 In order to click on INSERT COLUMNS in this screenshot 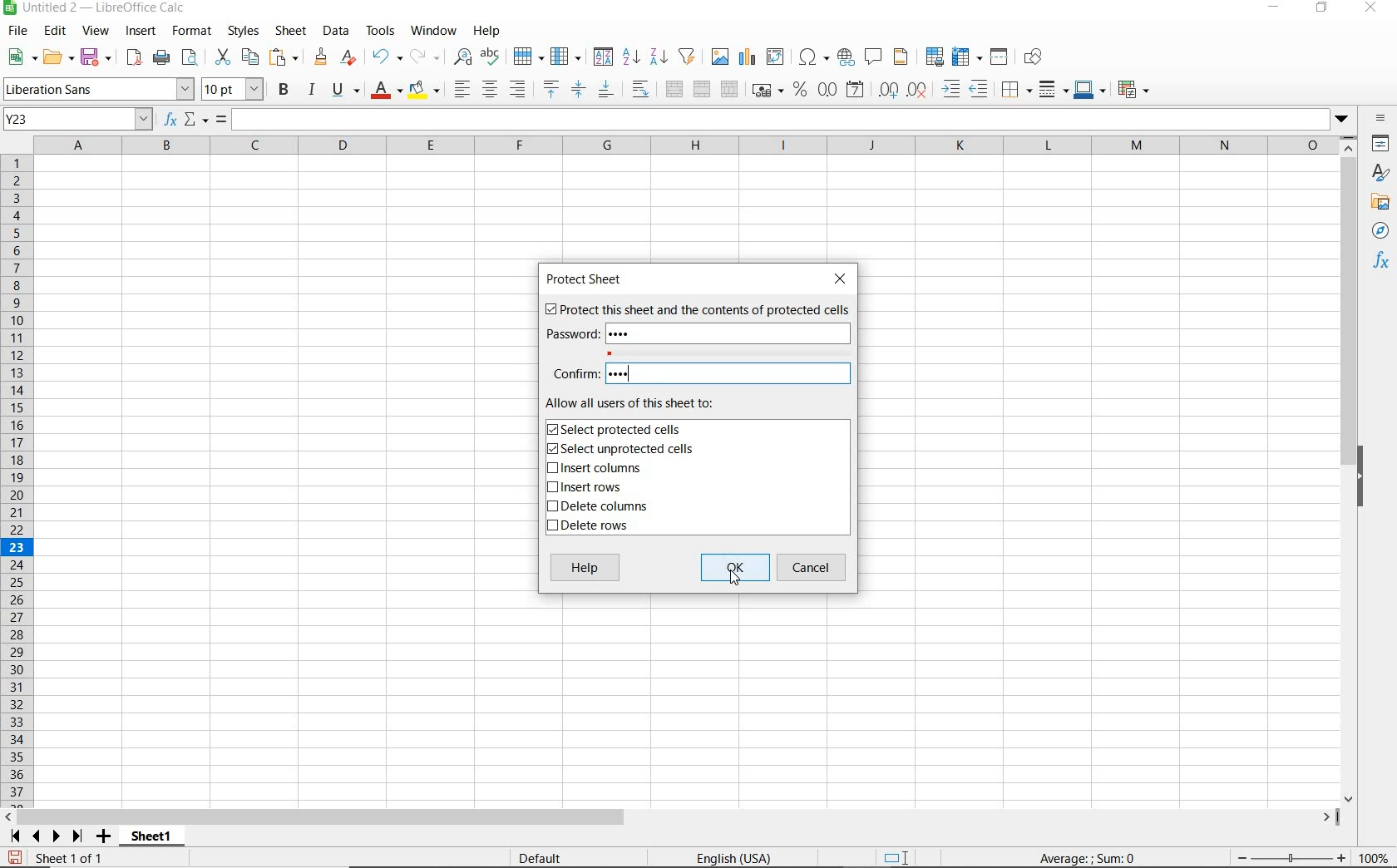, I will do `click(594, 470)`.